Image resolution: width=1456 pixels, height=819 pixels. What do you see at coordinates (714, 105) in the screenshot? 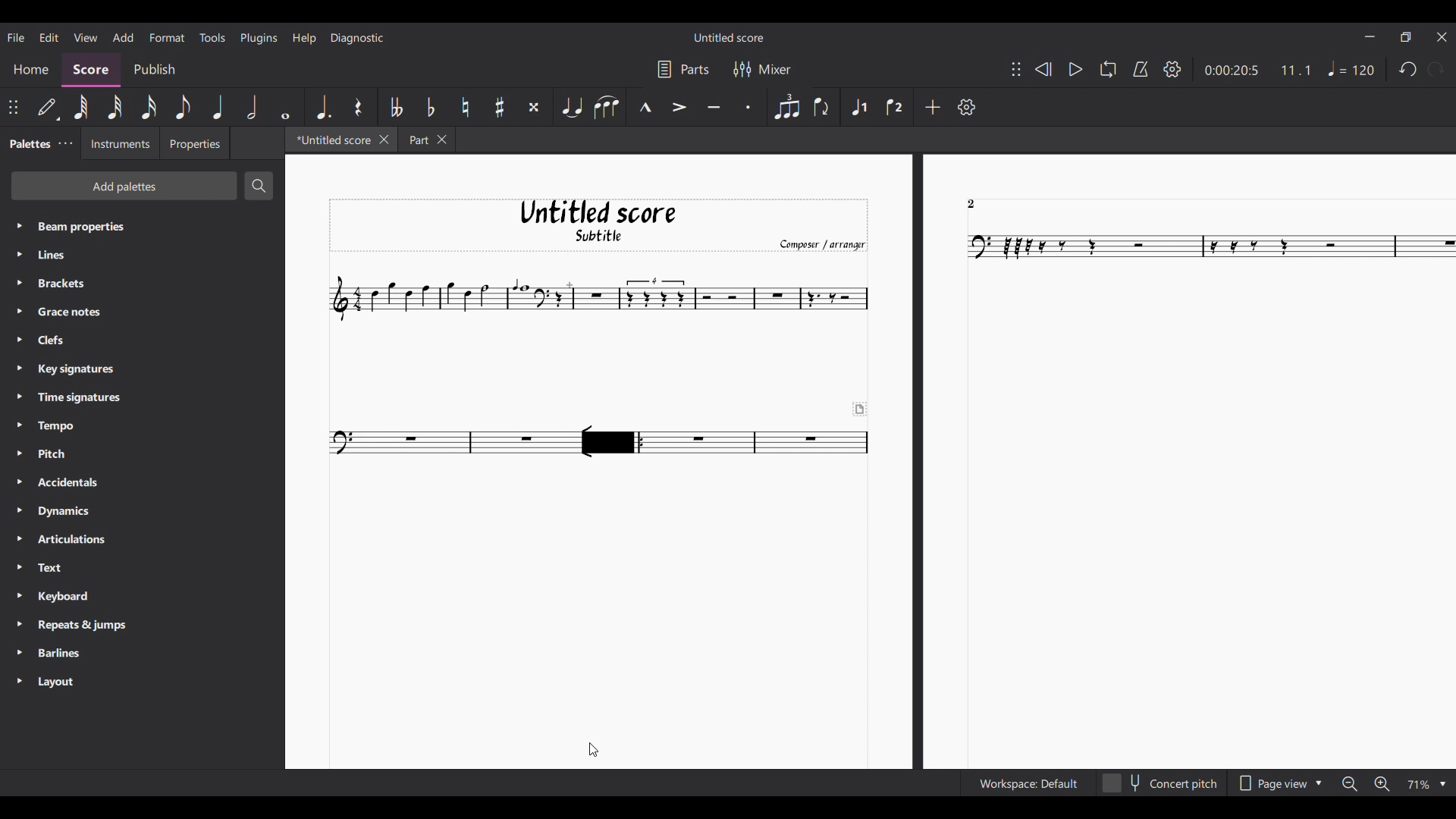
I see `Tenuto` at bounding box center [714, 105].